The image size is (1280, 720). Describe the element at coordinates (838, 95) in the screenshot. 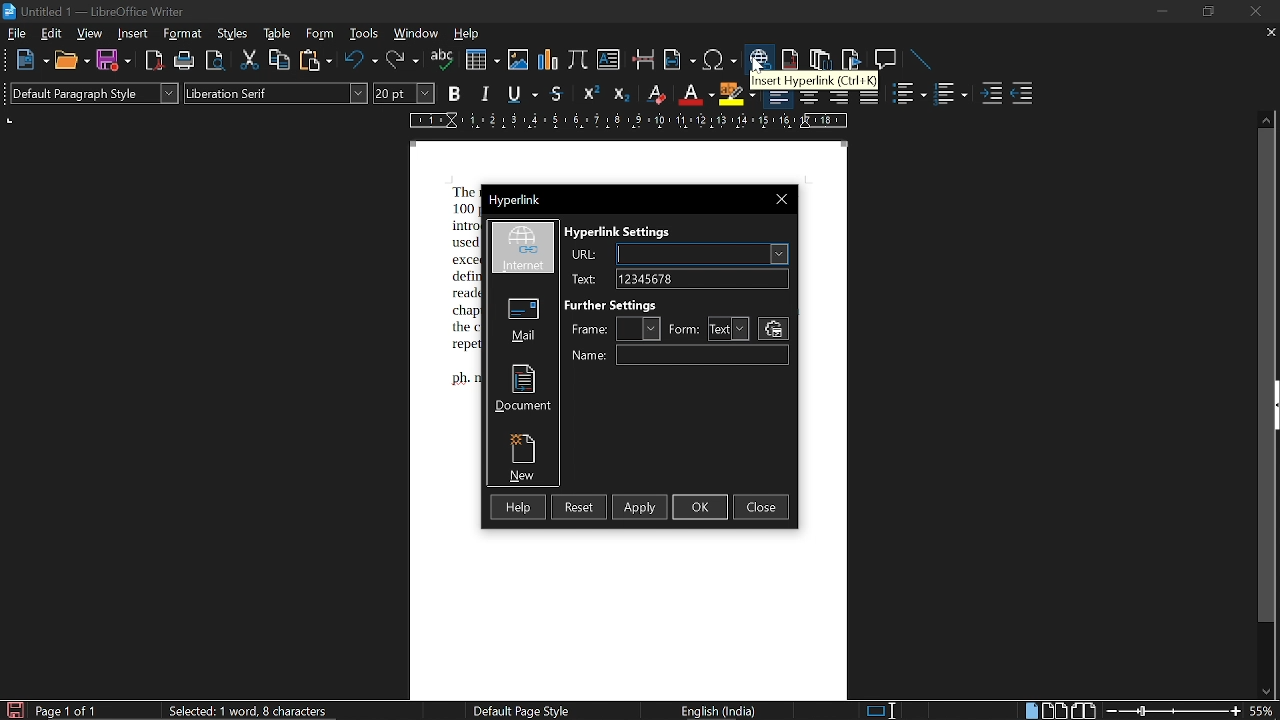

I see `align right` at that location.